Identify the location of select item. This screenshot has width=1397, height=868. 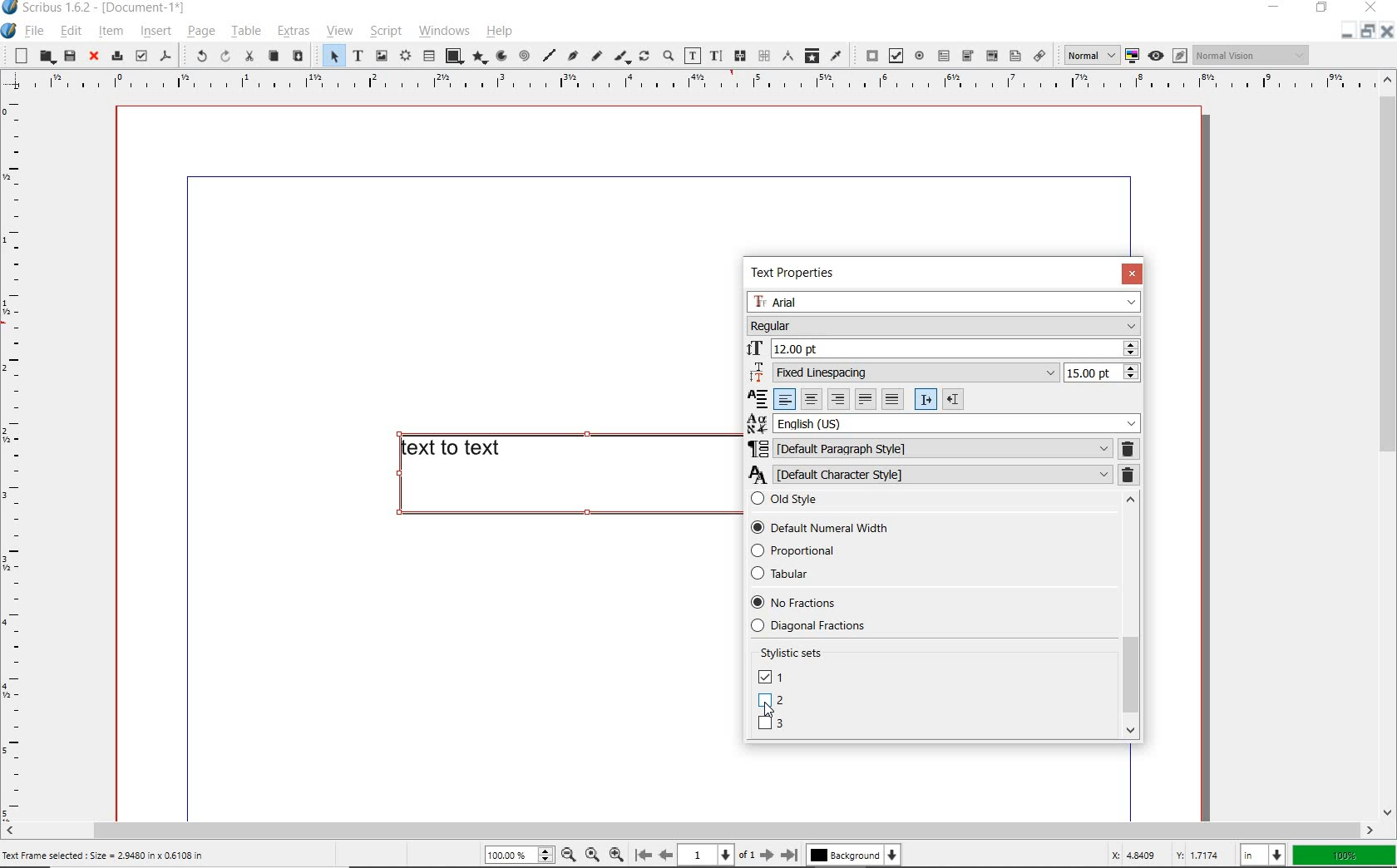
(331, 57).